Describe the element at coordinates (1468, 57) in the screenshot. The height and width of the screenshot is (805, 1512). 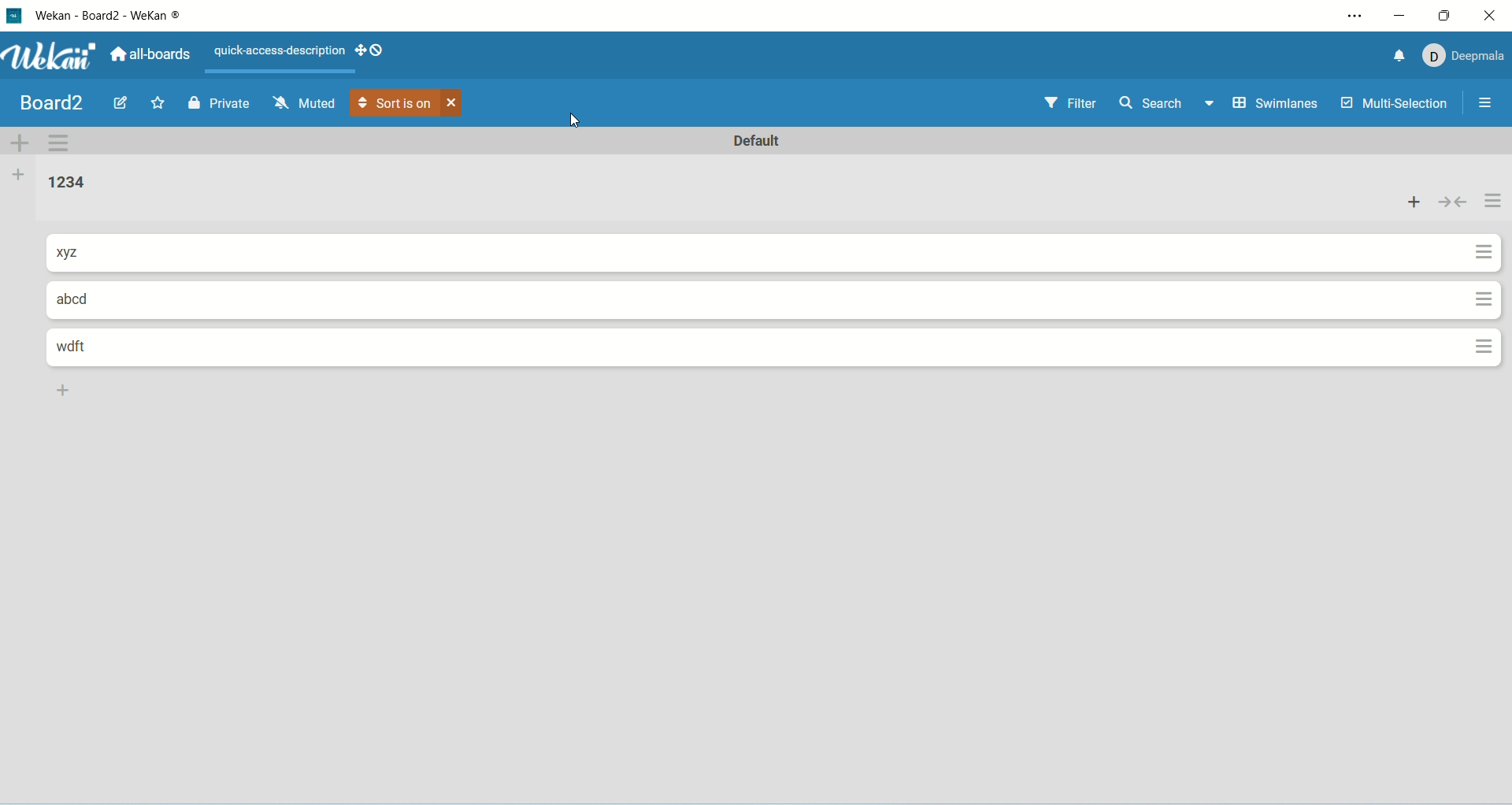
I see `account` at that location.